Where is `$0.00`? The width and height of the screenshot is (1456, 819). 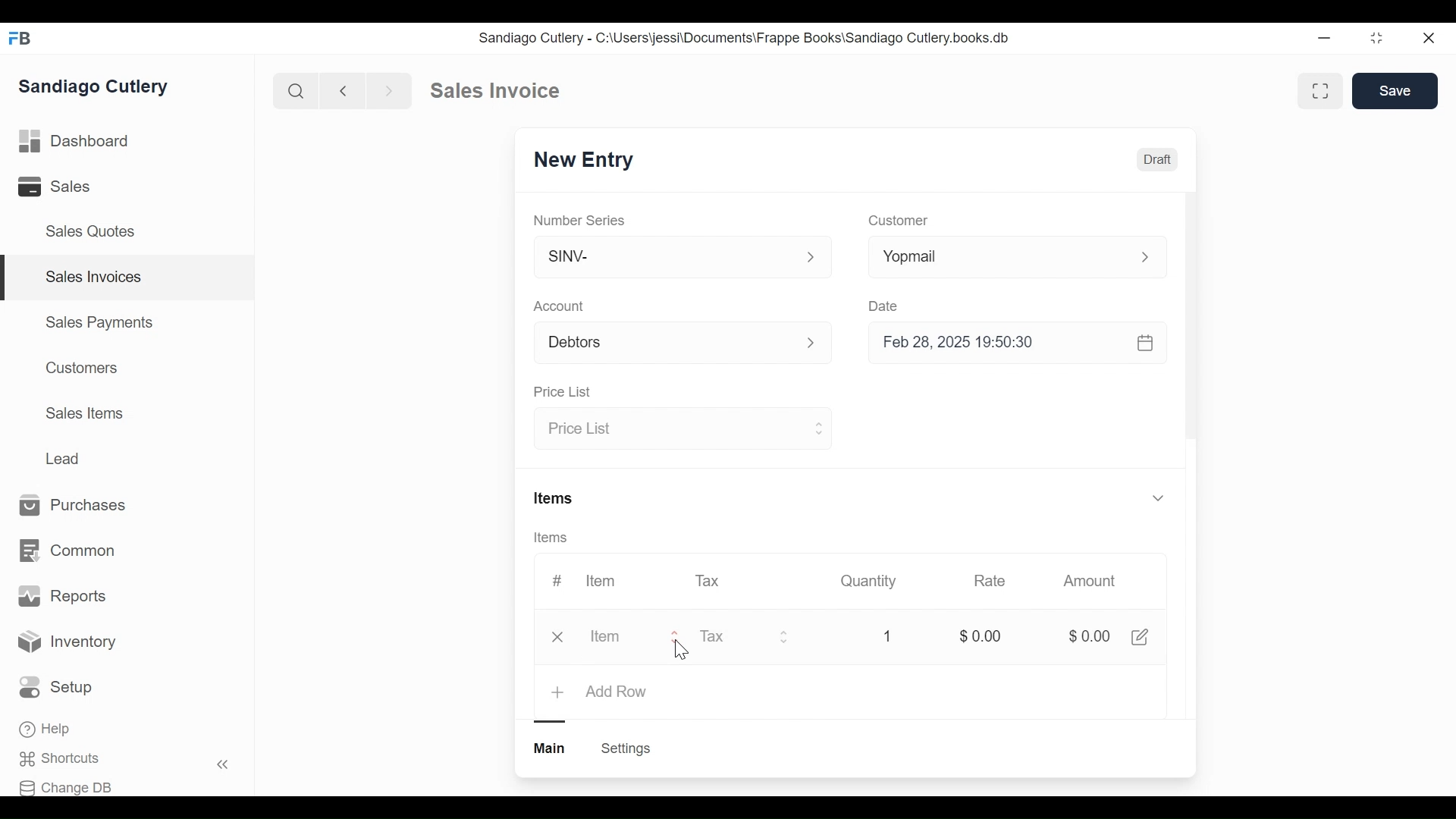
$0.00 is located at coordinates (1087, 636).